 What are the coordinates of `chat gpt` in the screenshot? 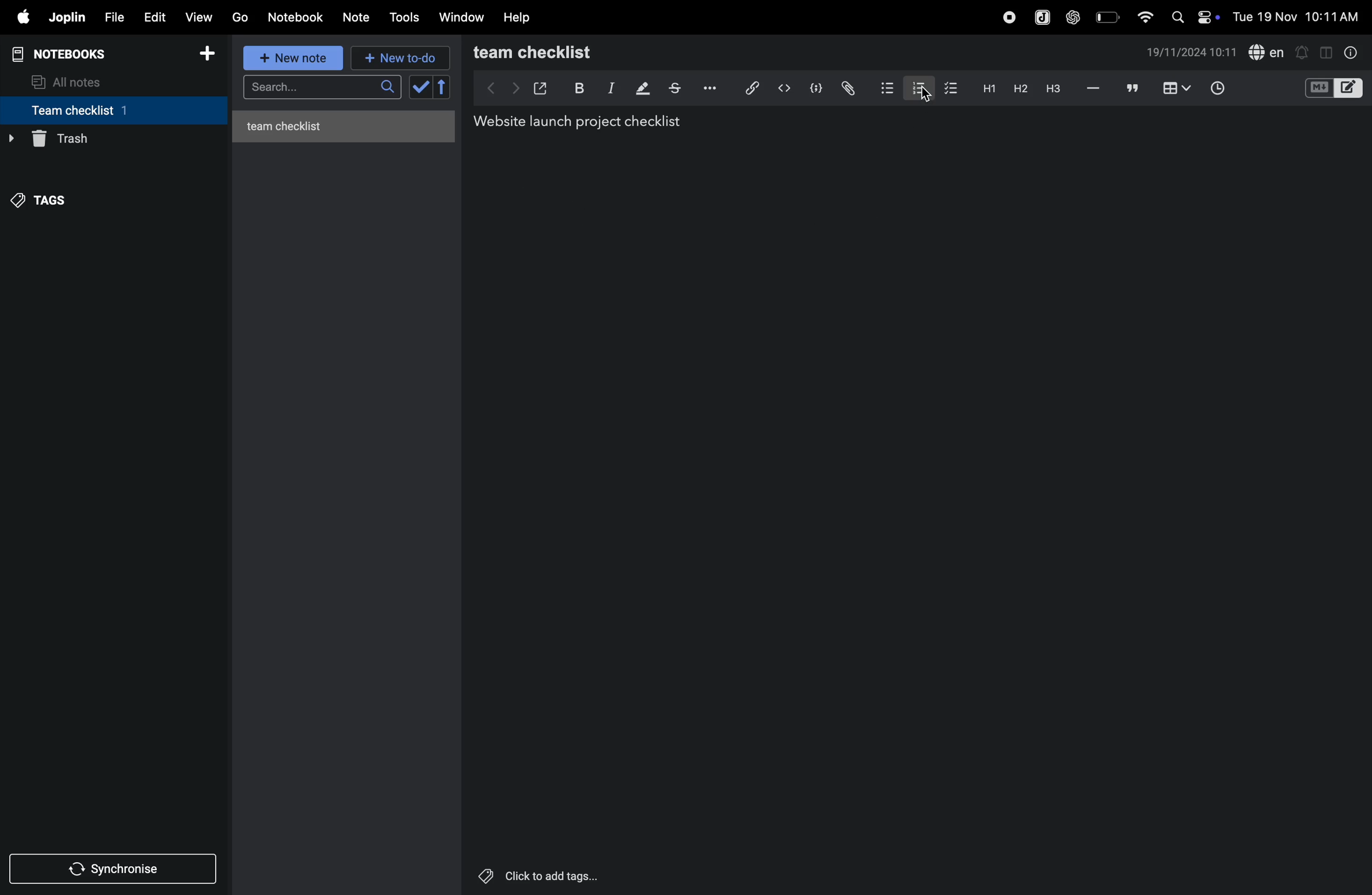 It's located at (1071, 17).